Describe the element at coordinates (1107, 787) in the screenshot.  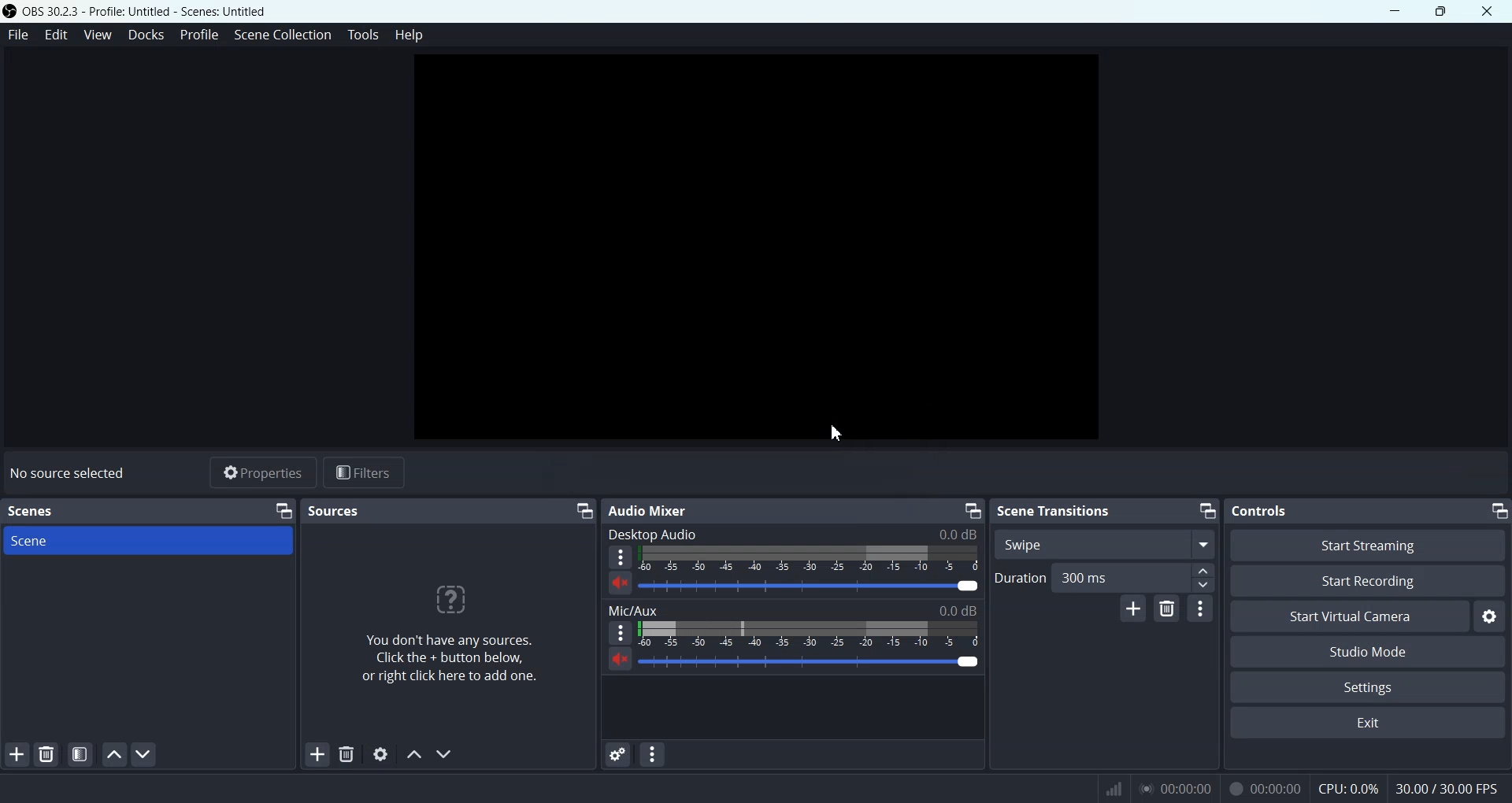
I see `Signals` at that location.